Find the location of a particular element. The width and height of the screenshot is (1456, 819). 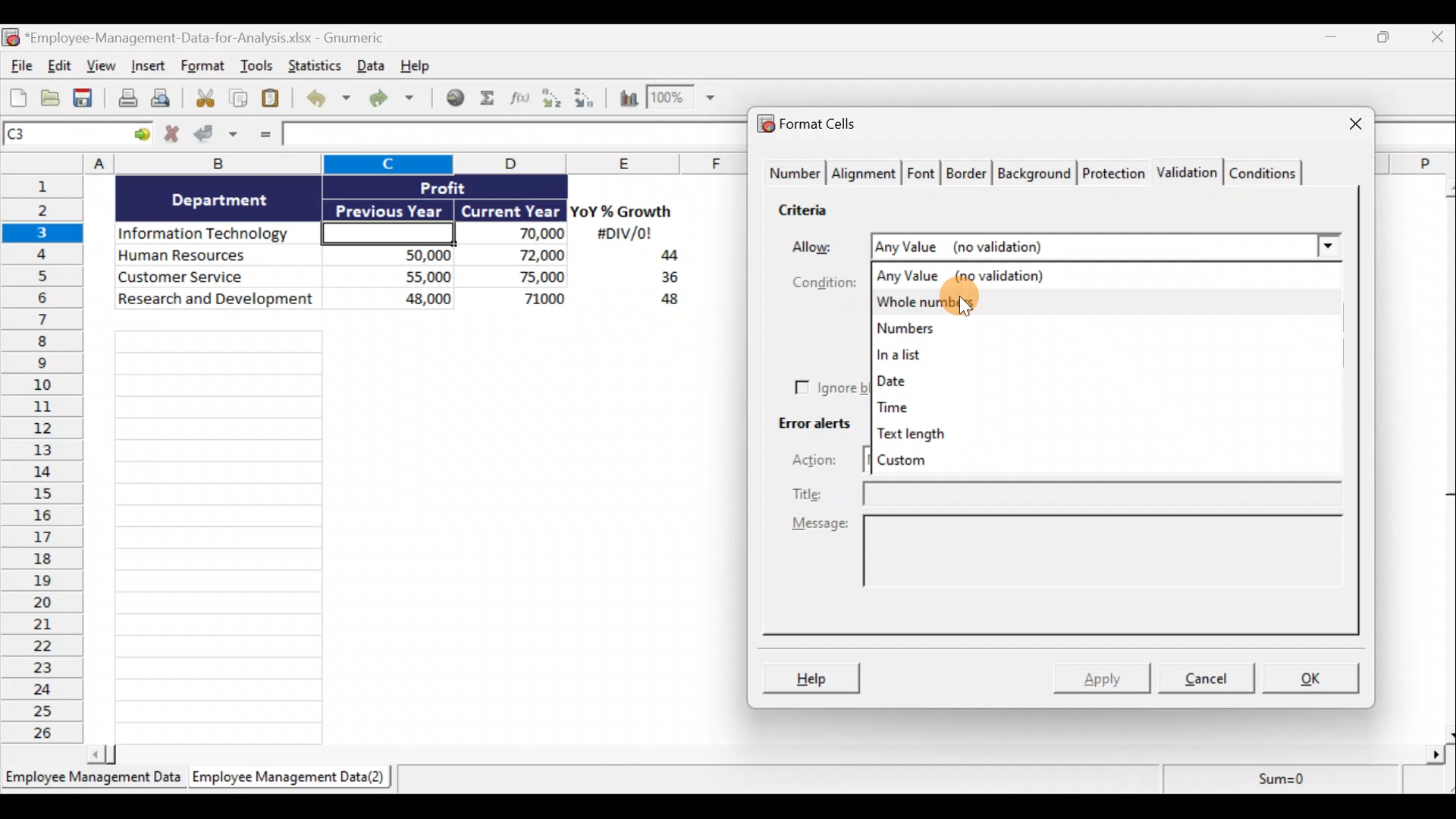

Allow is located at coordinates (823, 248).